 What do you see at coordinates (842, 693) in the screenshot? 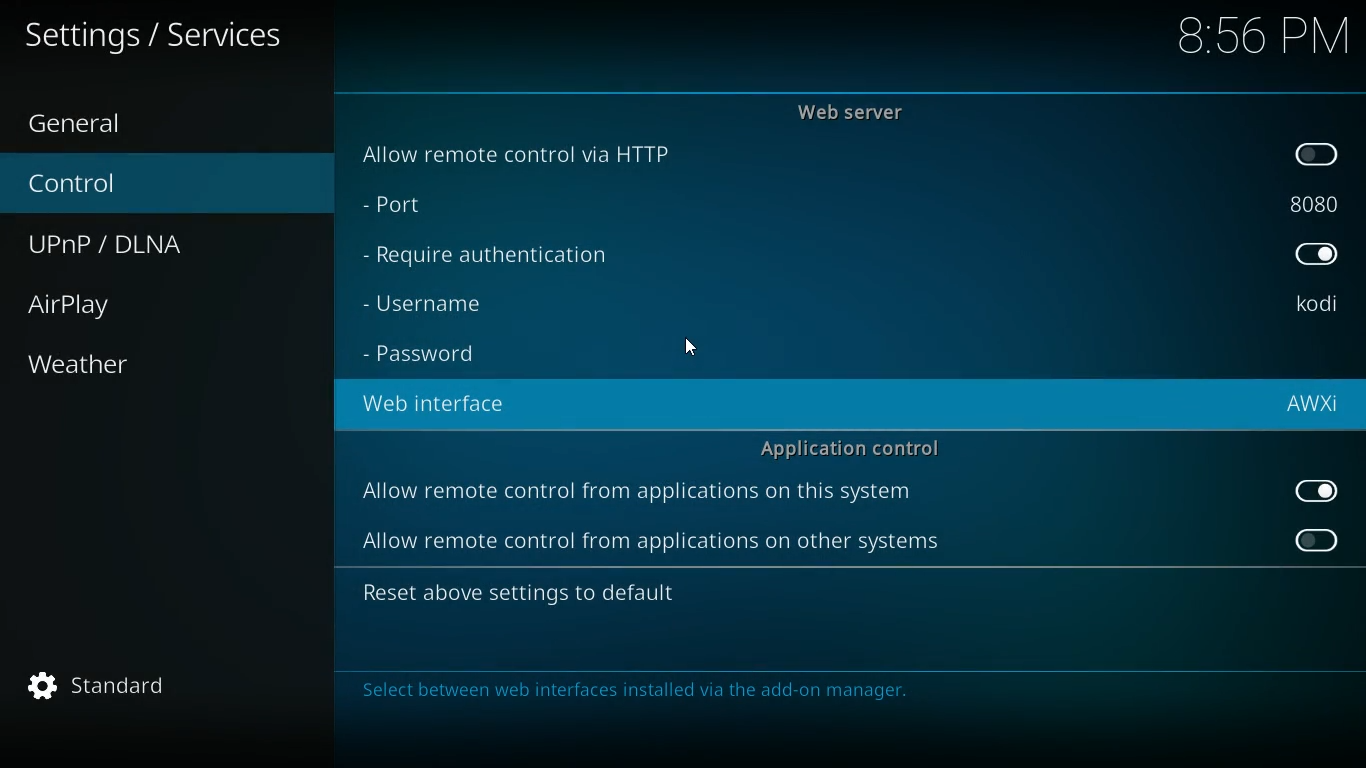
I see `message` at bounding box center [842, 693].